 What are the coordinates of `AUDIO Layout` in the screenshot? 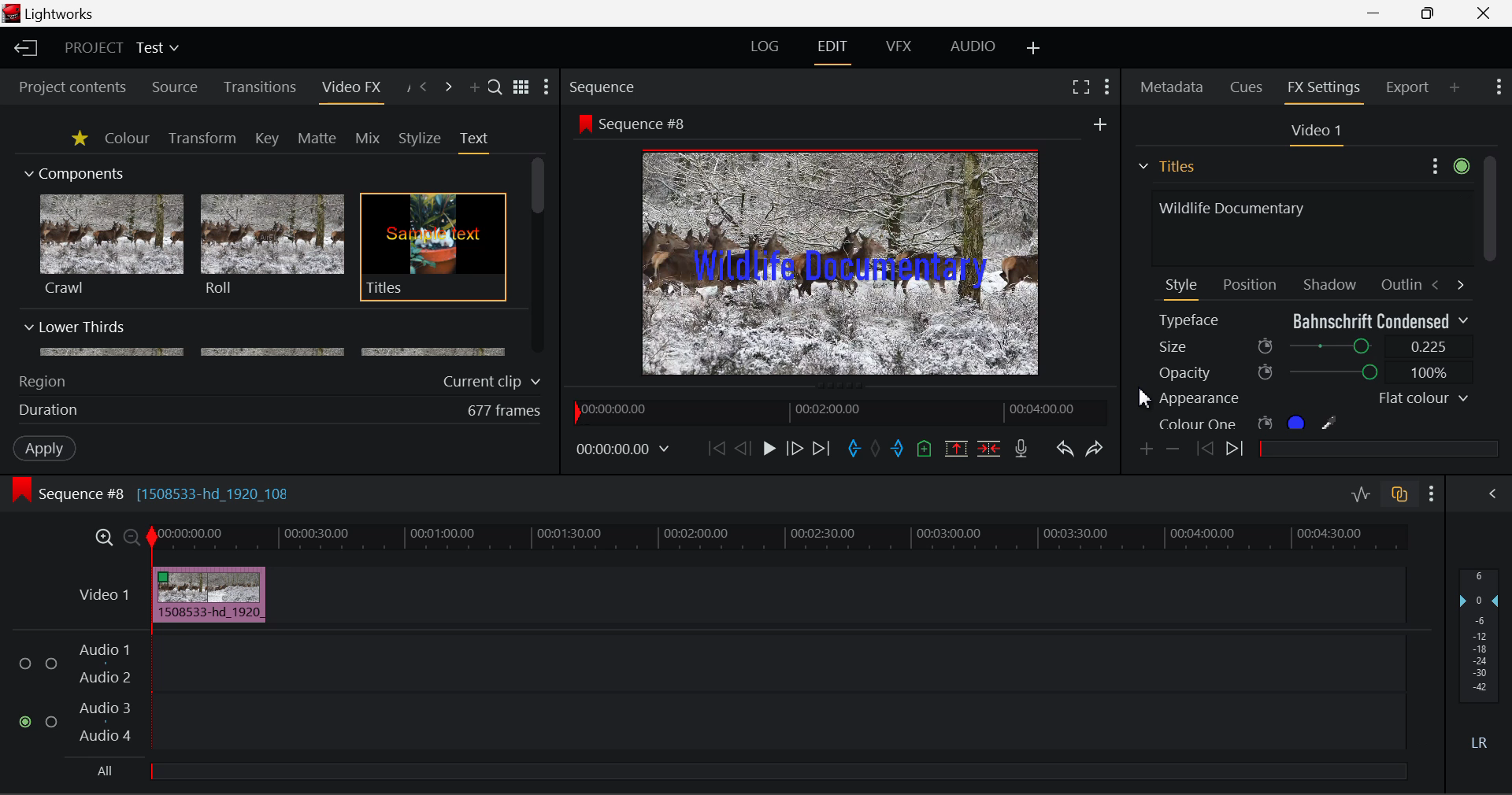 It's located at (972, 48).